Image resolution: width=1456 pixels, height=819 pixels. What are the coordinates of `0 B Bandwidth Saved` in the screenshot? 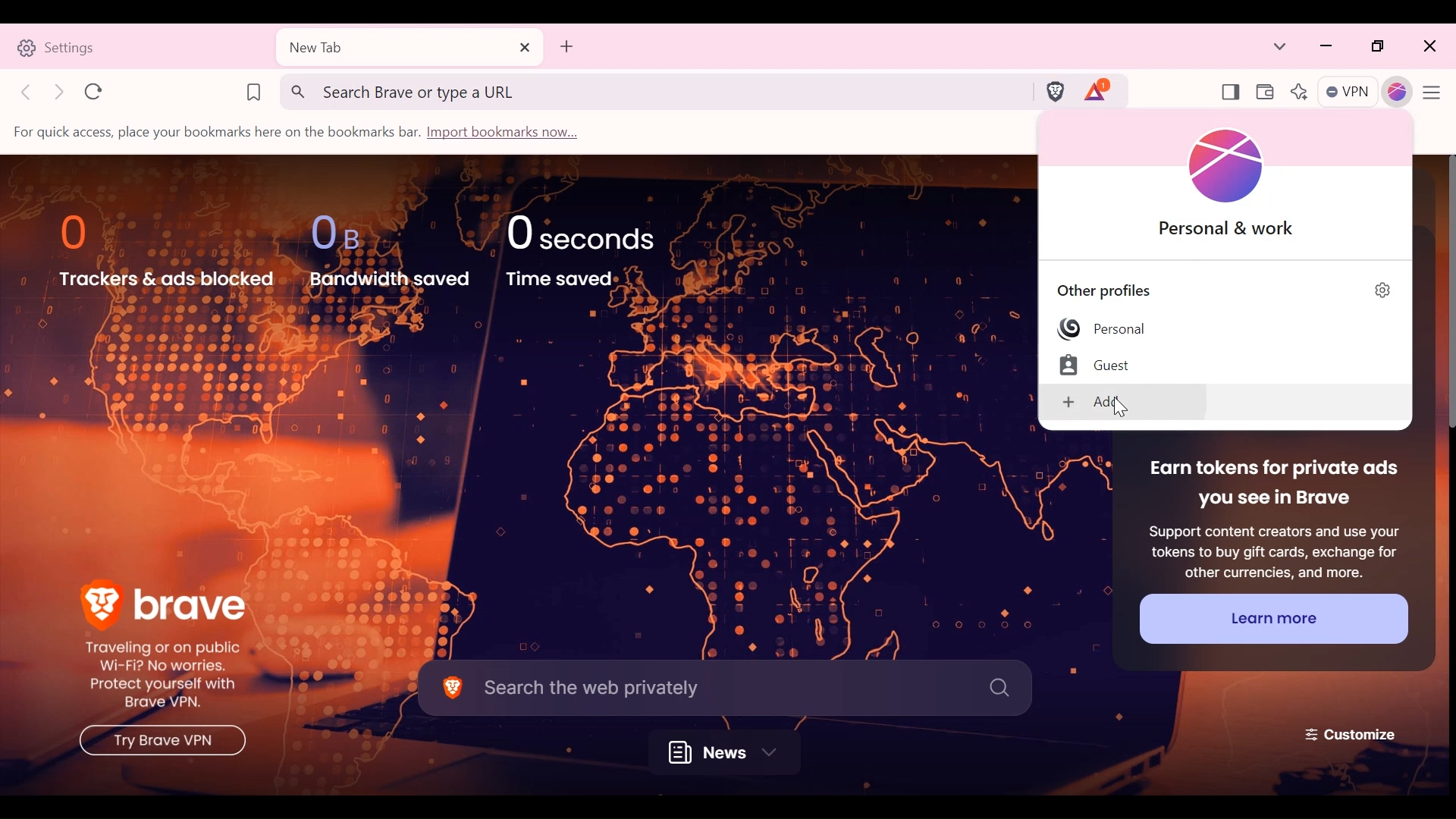 It's located at (388, 248).